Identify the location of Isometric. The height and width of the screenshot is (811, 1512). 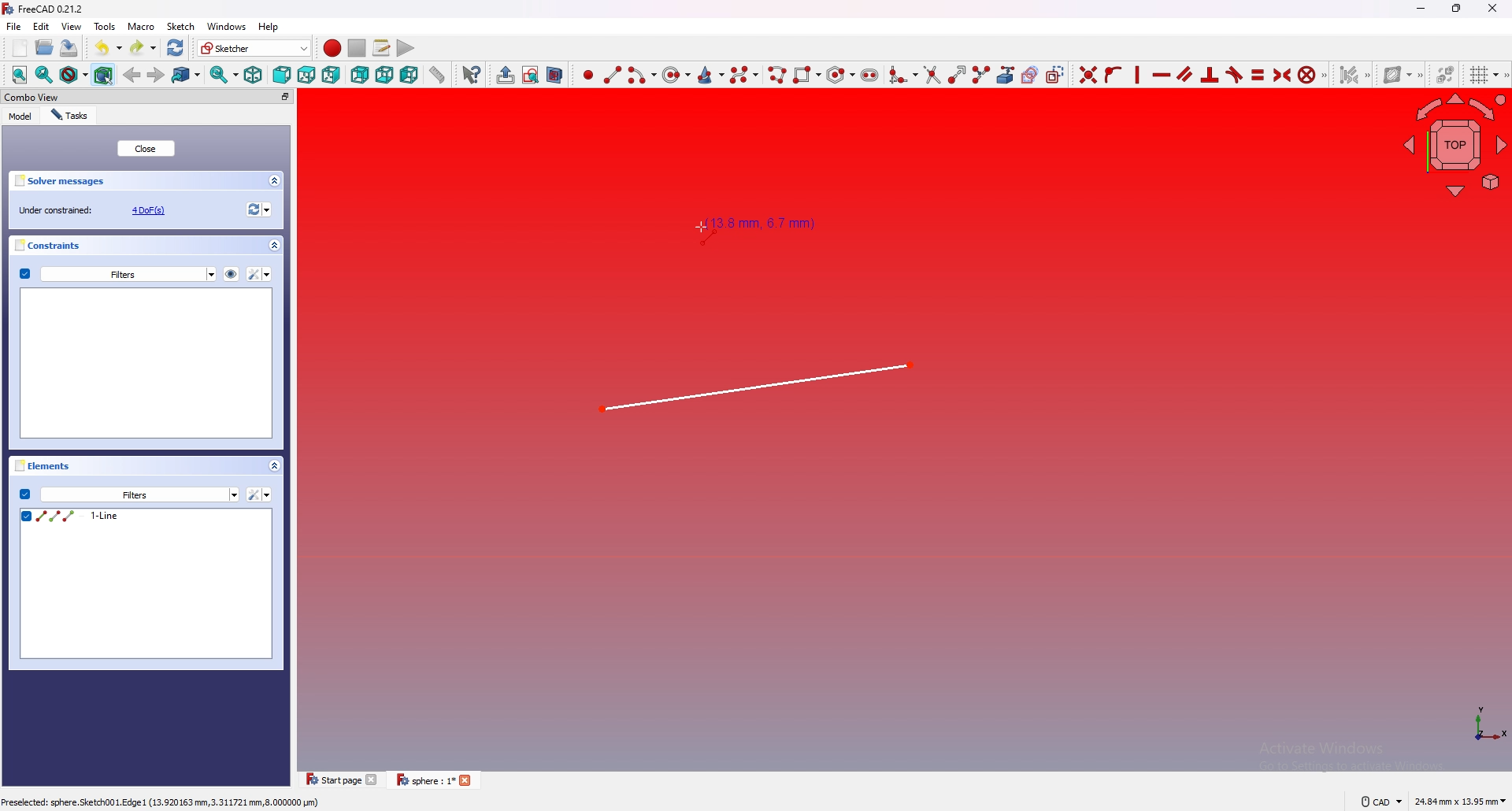
(252, 76).